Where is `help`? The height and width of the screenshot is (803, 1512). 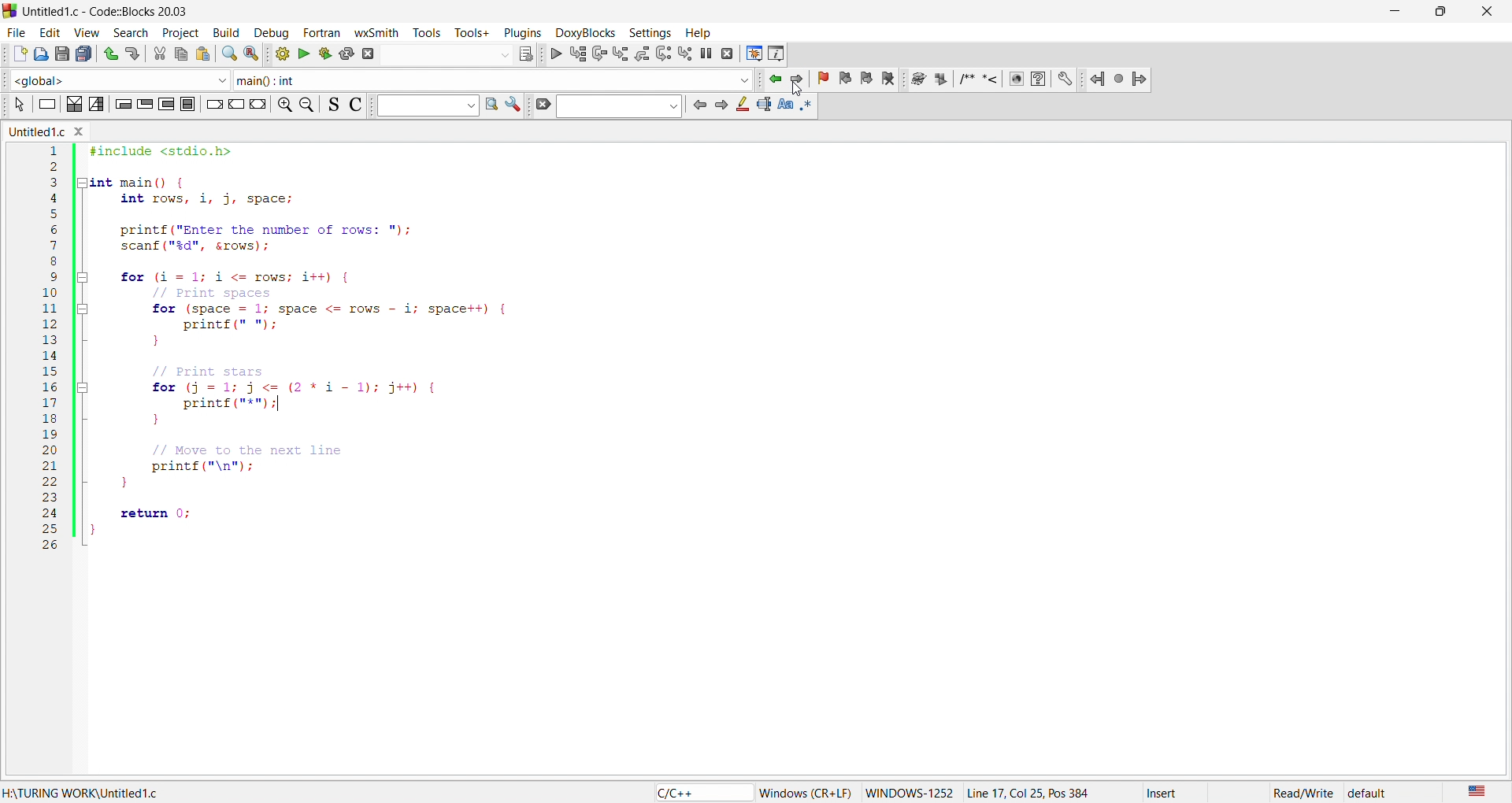
help is located at coordinates (696, 31).